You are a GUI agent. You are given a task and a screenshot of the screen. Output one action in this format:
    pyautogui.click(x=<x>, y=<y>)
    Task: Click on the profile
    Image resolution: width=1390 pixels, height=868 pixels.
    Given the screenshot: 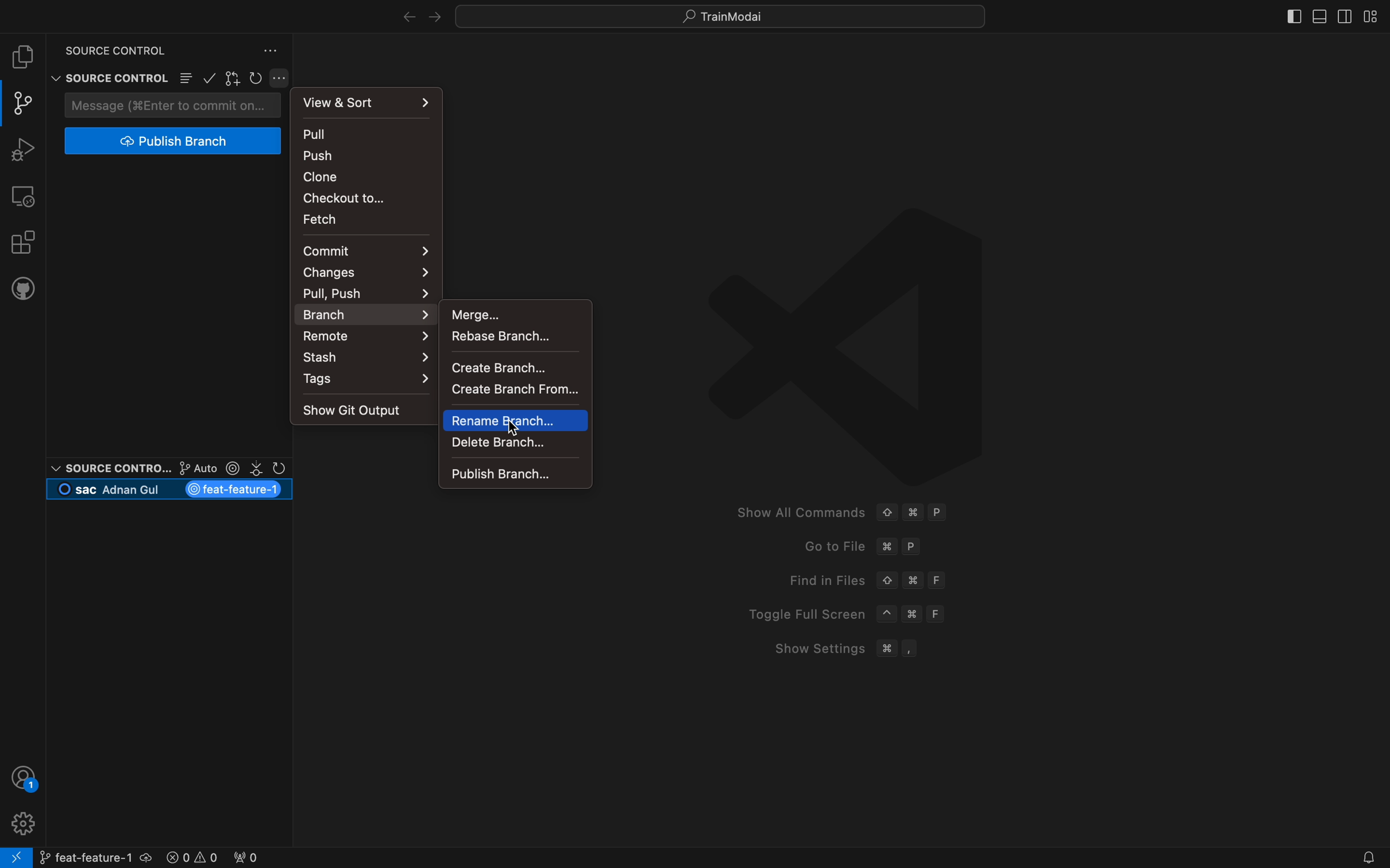 What is the action you would take?
    pyautogui.click(x=21, y=822)
    